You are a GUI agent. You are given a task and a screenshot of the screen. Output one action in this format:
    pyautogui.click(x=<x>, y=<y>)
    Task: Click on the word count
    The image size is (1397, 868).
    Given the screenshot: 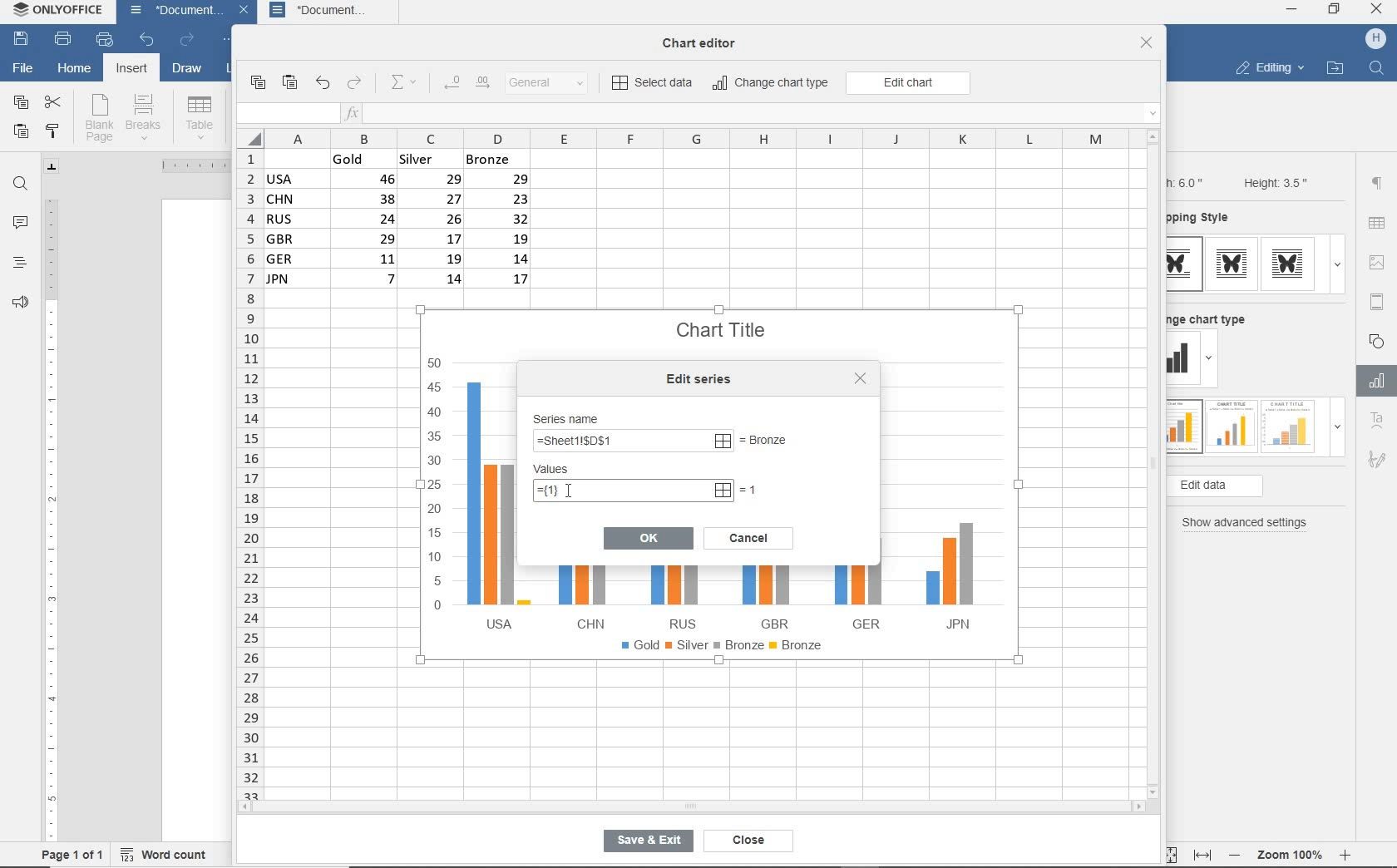 What is the action you would take?
    pyautogui.click(x=169, y=852)
    